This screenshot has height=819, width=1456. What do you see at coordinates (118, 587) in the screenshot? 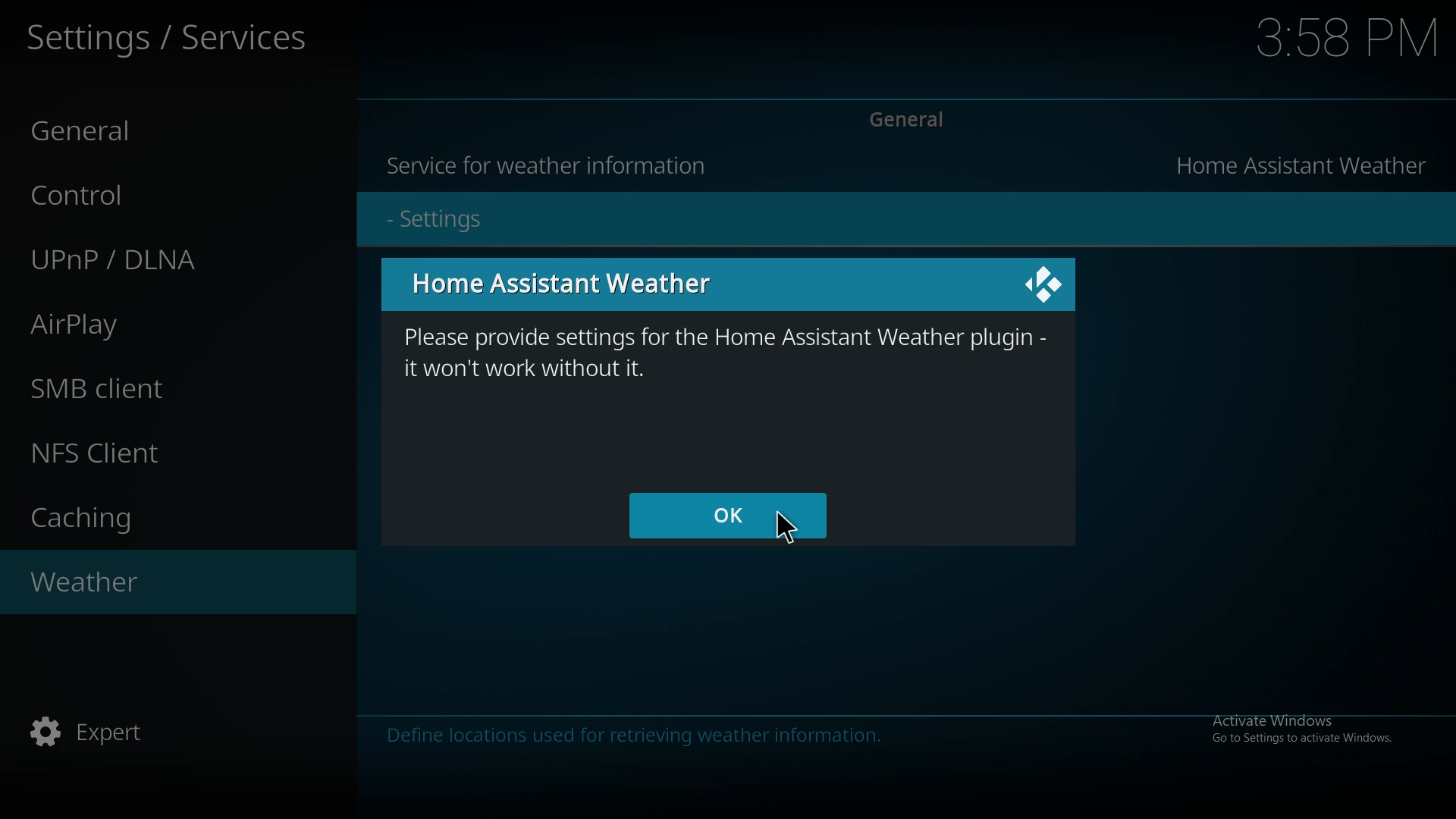
I see `Weather` at bounding box center [118, 587].